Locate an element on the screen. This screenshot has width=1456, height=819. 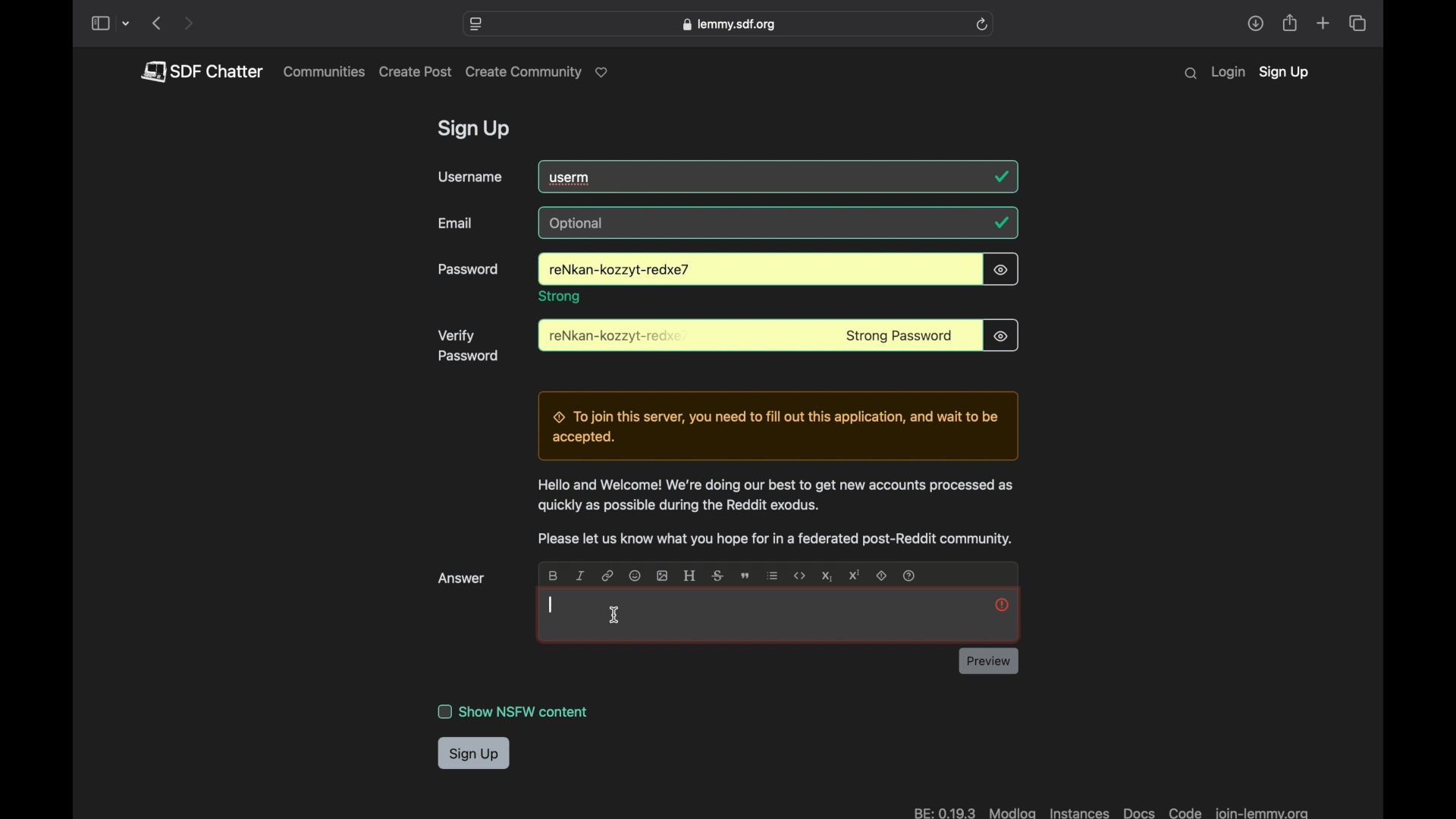
join-lemma.org is located at coordinates (1261, 811).